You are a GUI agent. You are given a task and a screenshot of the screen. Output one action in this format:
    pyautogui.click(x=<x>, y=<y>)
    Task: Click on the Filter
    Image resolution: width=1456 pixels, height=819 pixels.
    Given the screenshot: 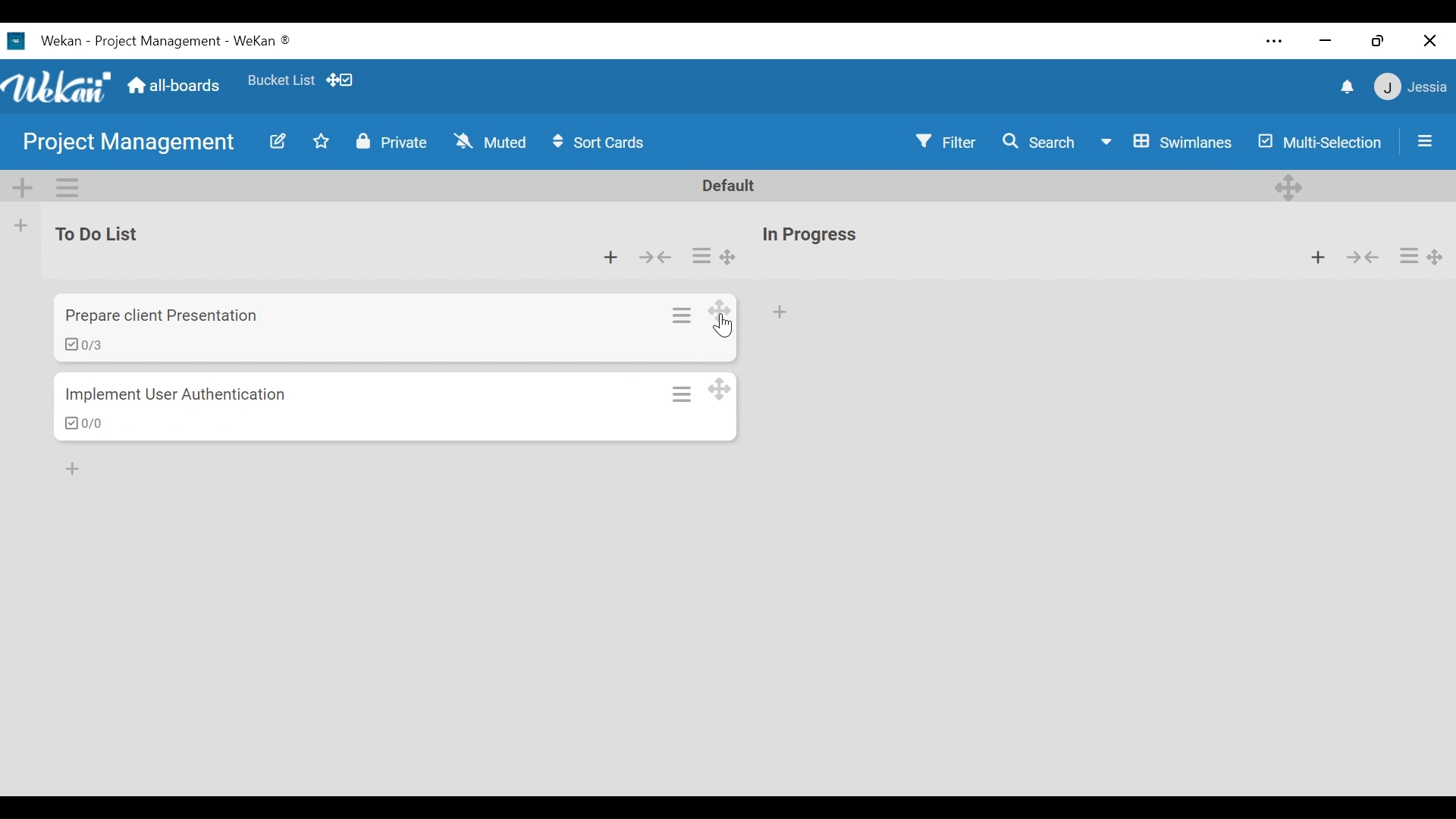 What is the action you would take?
    pyautogui.click(x=946, y=140)
    